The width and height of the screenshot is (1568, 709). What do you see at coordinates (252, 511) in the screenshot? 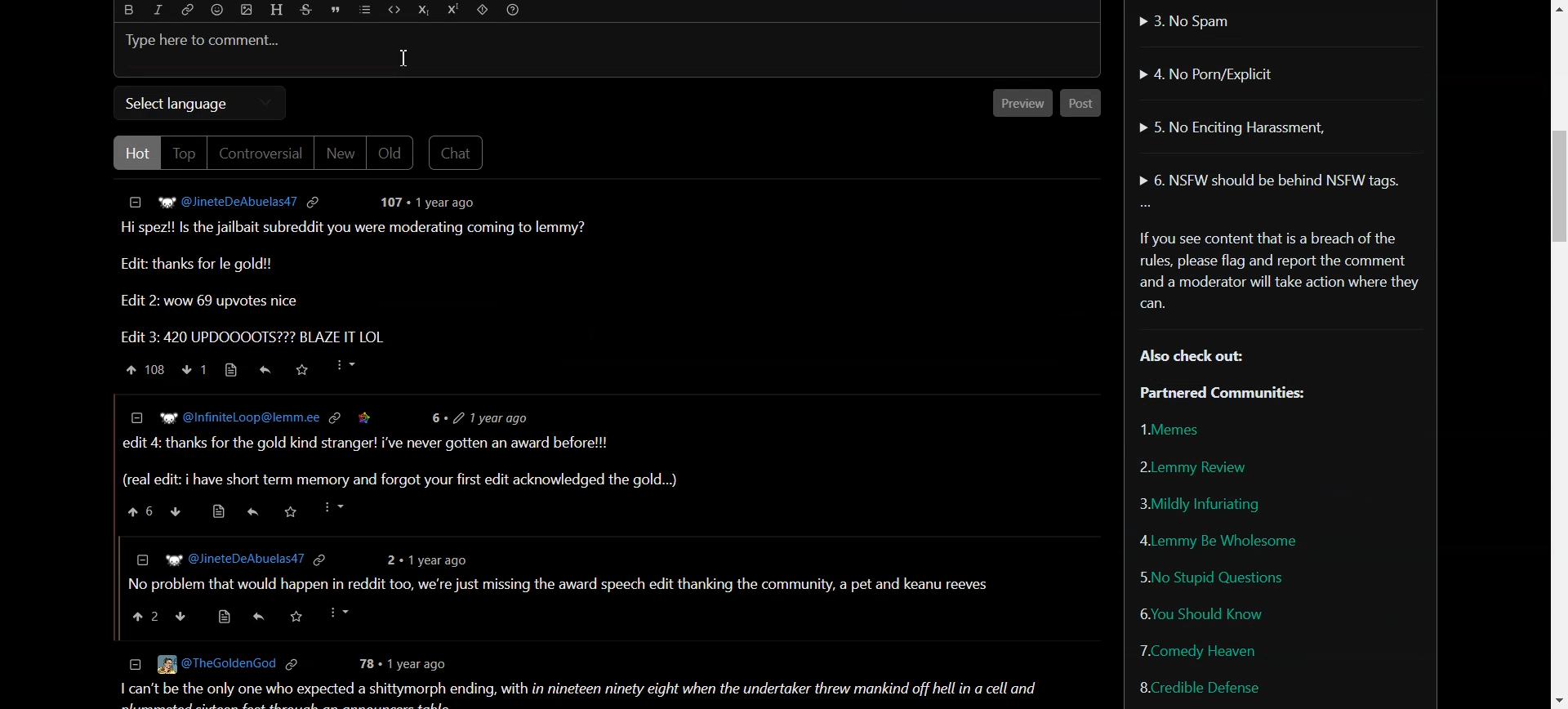
I see `reply` at bounding box center [252, 511].